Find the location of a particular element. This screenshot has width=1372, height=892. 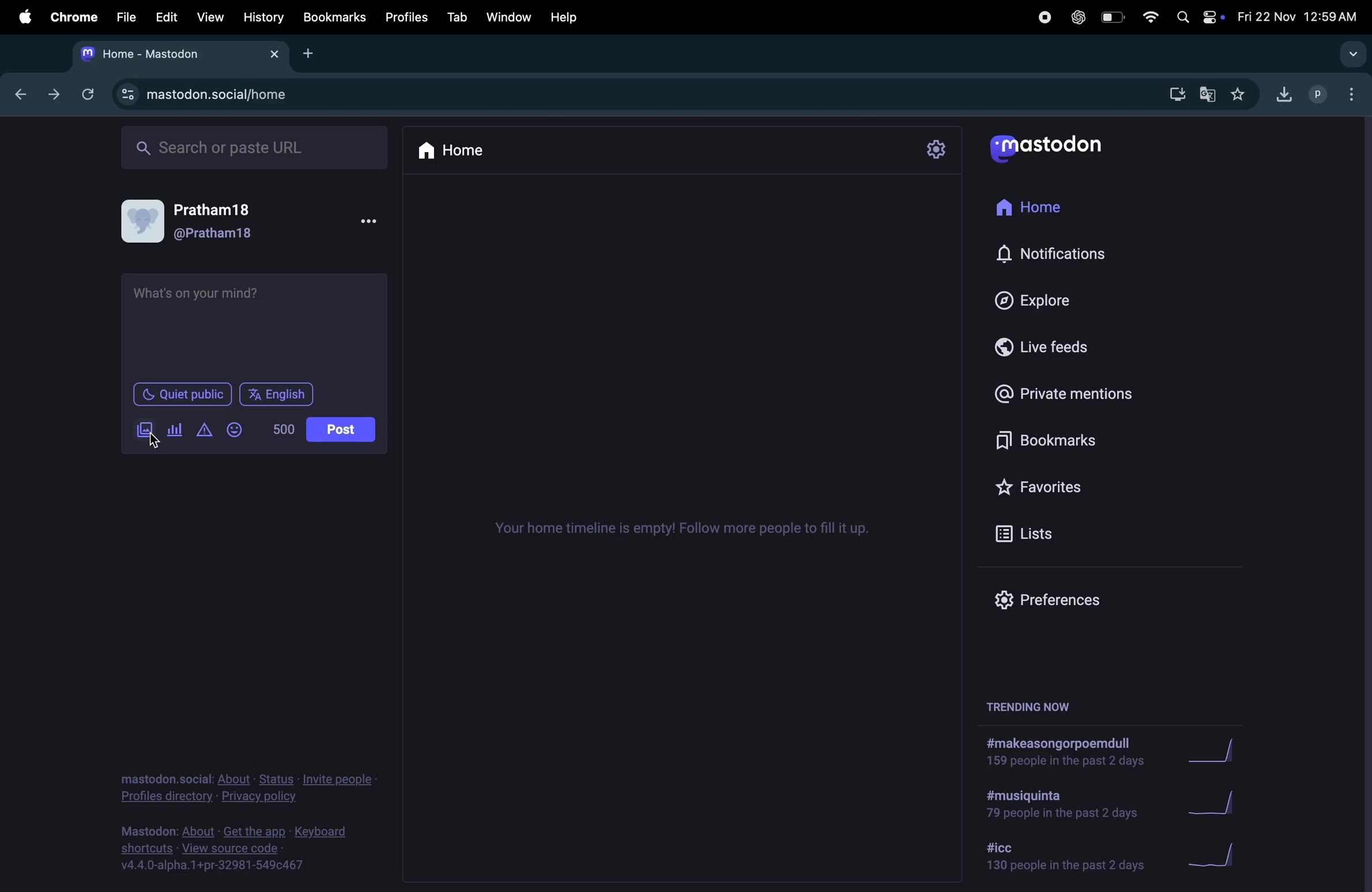

spotlight search is located at coordinates (1183, 17).